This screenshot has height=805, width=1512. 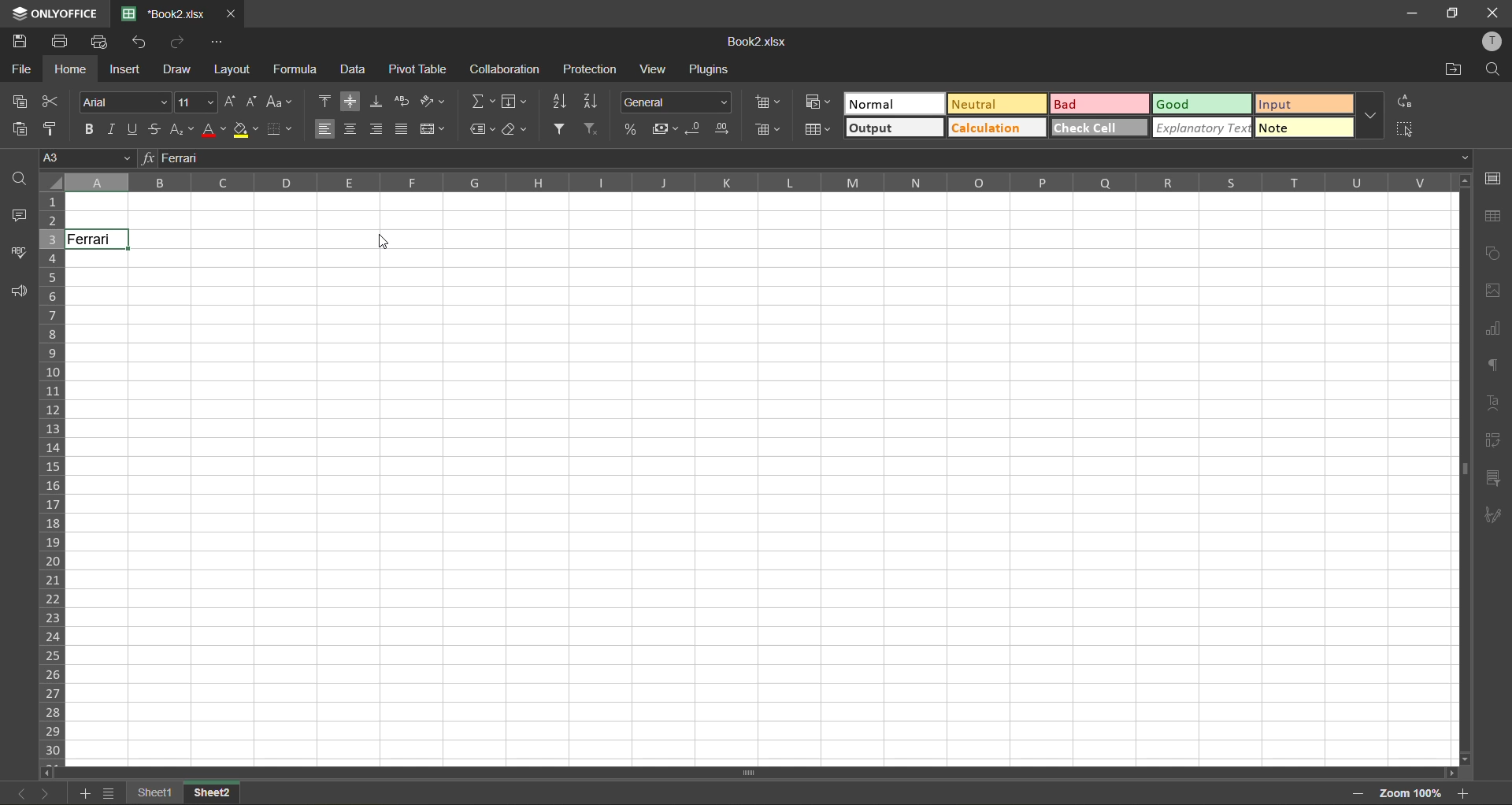 What do you see at coordinates (139, 43) in the screenshot?
I see `undo` at bounding box center [139, 43].